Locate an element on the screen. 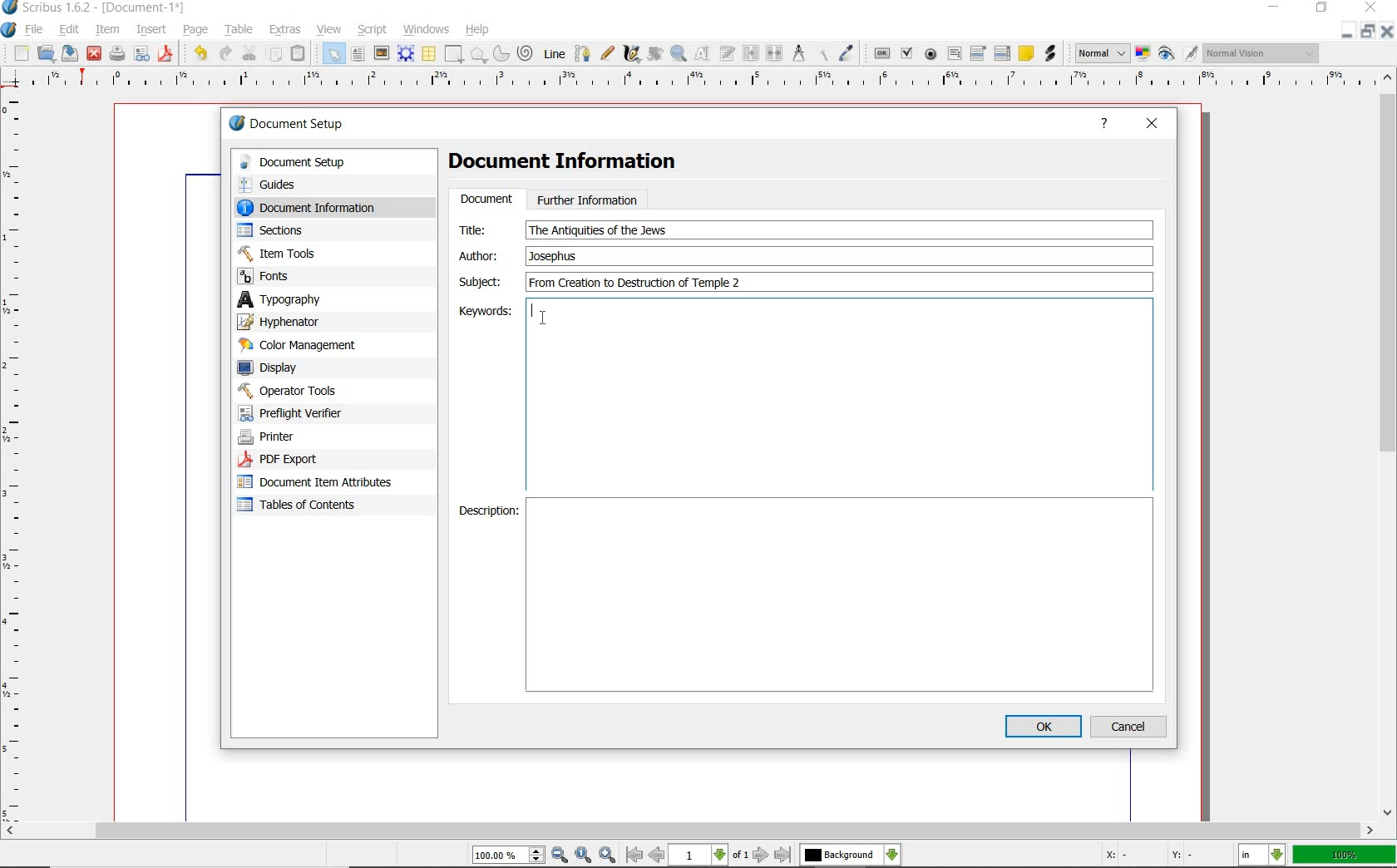  new is located at coordinates (20, 53).